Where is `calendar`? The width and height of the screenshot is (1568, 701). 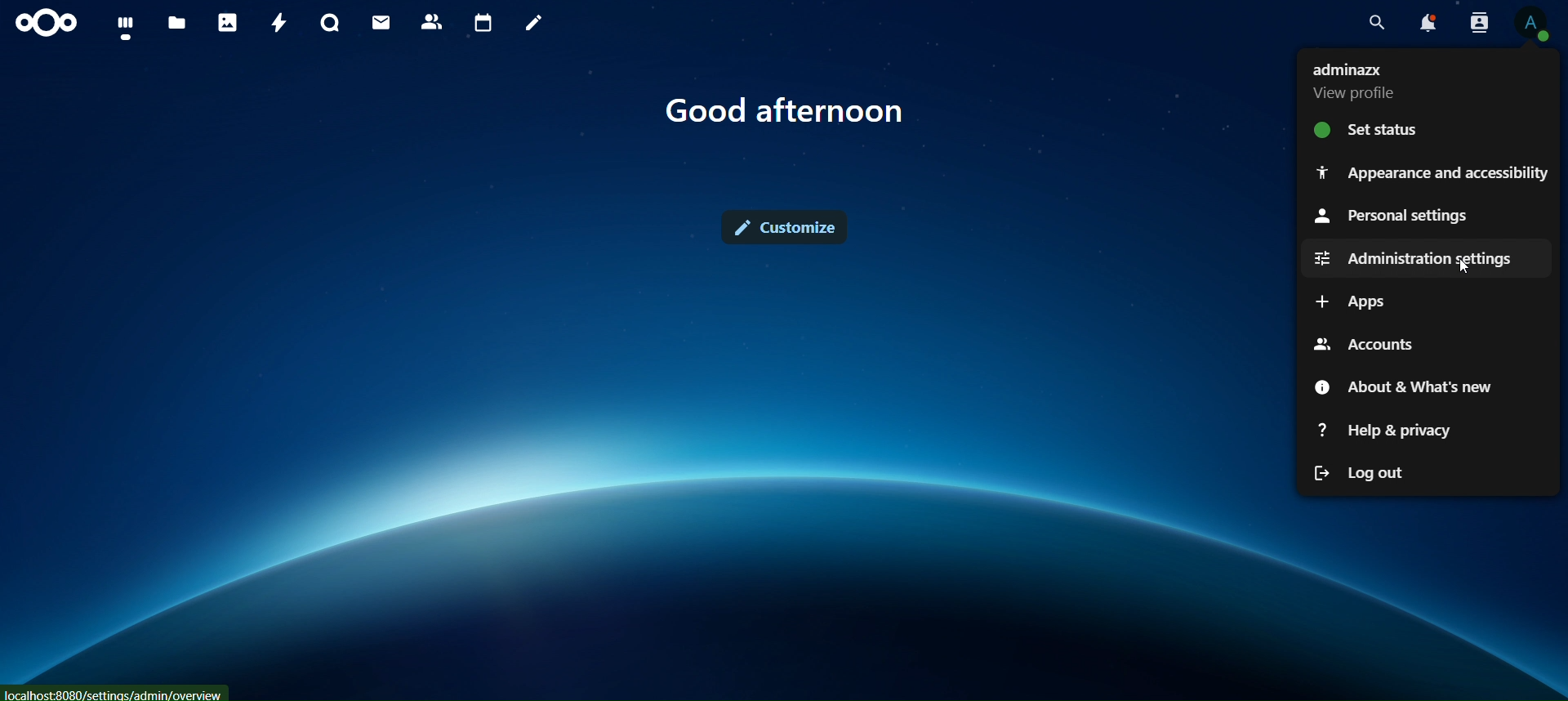 calendar is located at coordinates (484, 21).